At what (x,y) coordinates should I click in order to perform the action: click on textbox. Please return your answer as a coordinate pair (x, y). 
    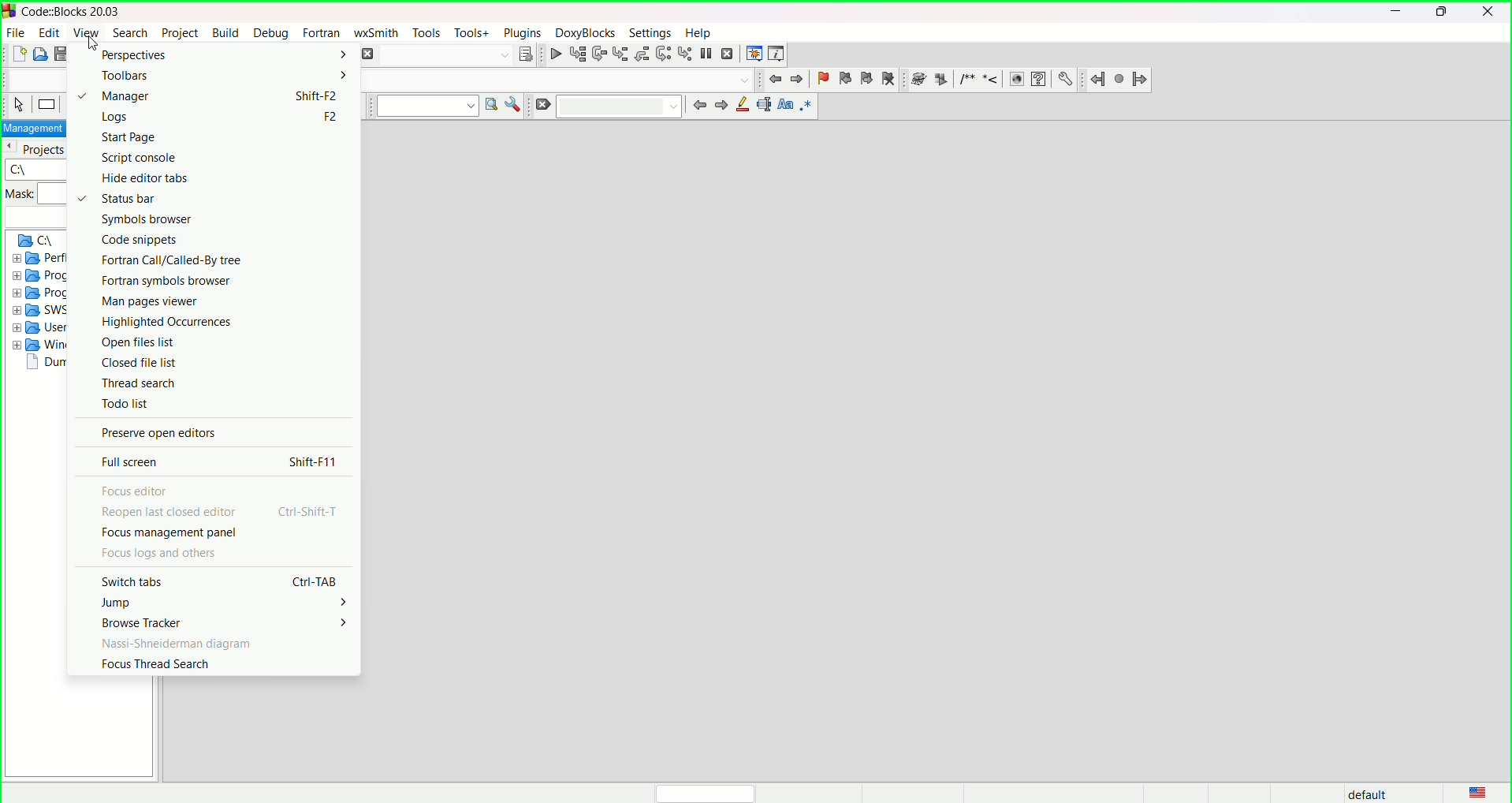
    Looking at the image, I should click on (620, 107).